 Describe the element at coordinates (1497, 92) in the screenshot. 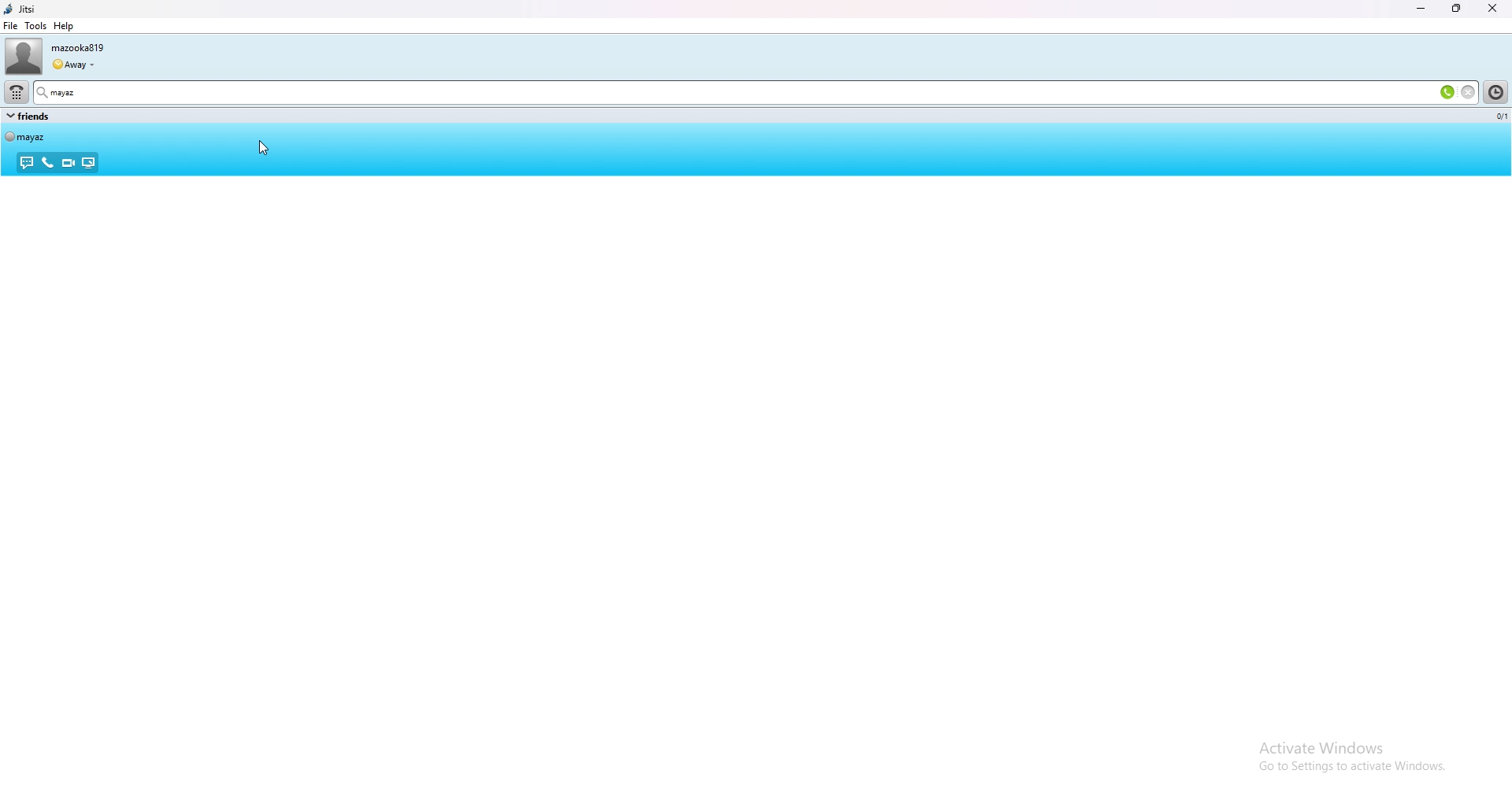

I see `history` at that location.